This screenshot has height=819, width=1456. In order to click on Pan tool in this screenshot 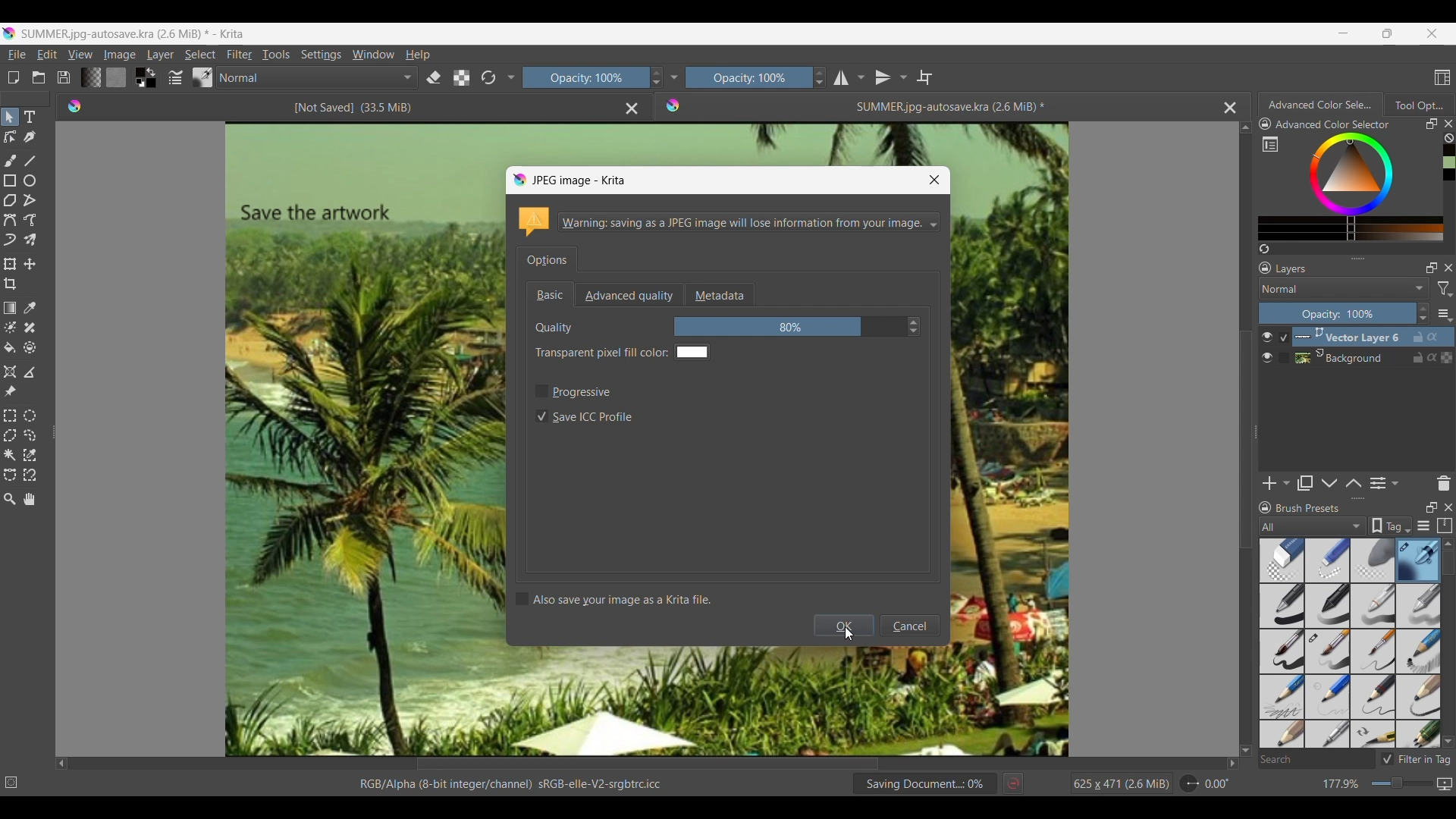, I will do `click(29, 499)`.